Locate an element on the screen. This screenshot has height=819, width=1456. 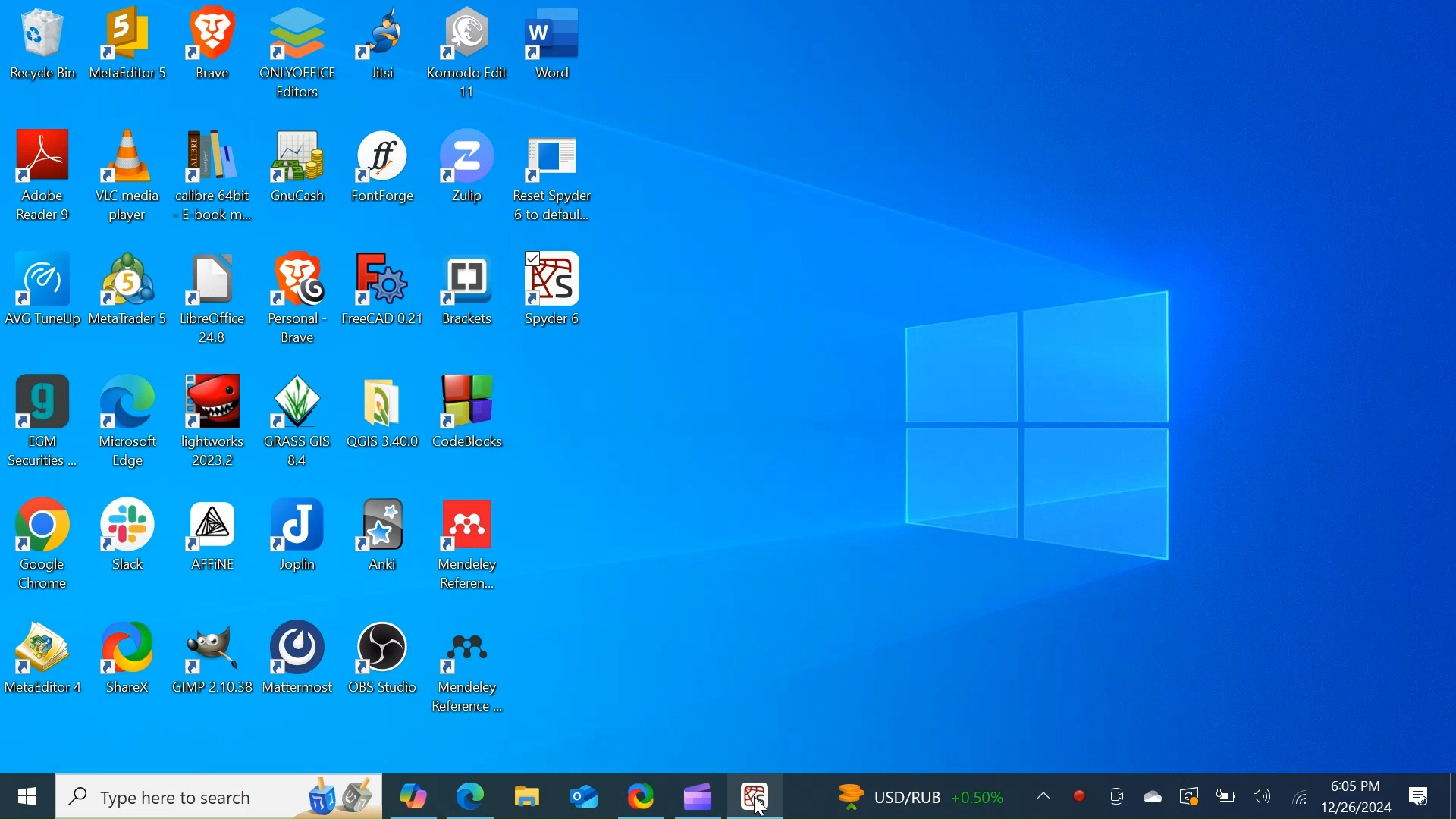
Time  is located at coordinates (1357, 786).